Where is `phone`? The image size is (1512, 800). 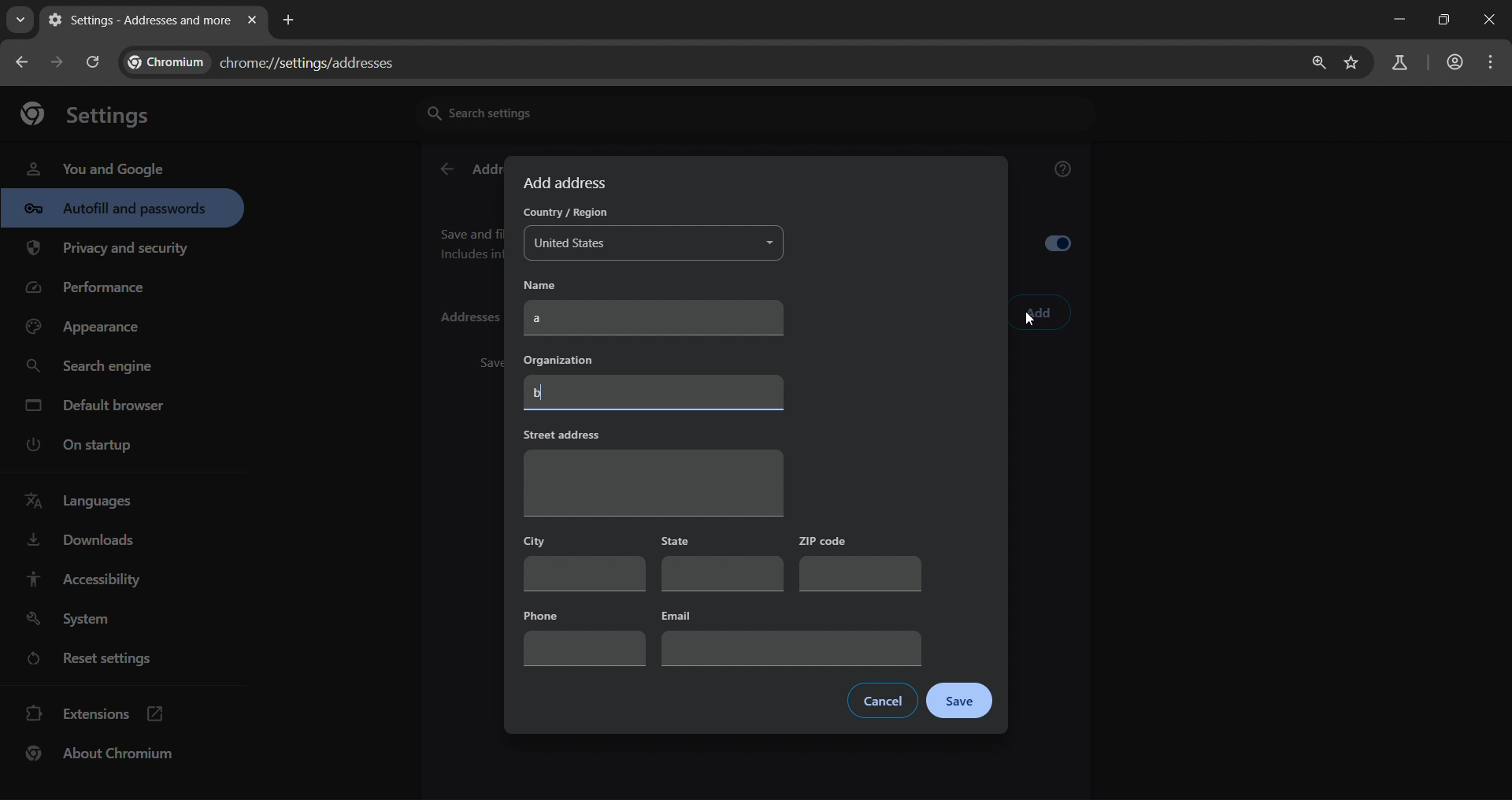
phone is located at coordinates (584, 636).